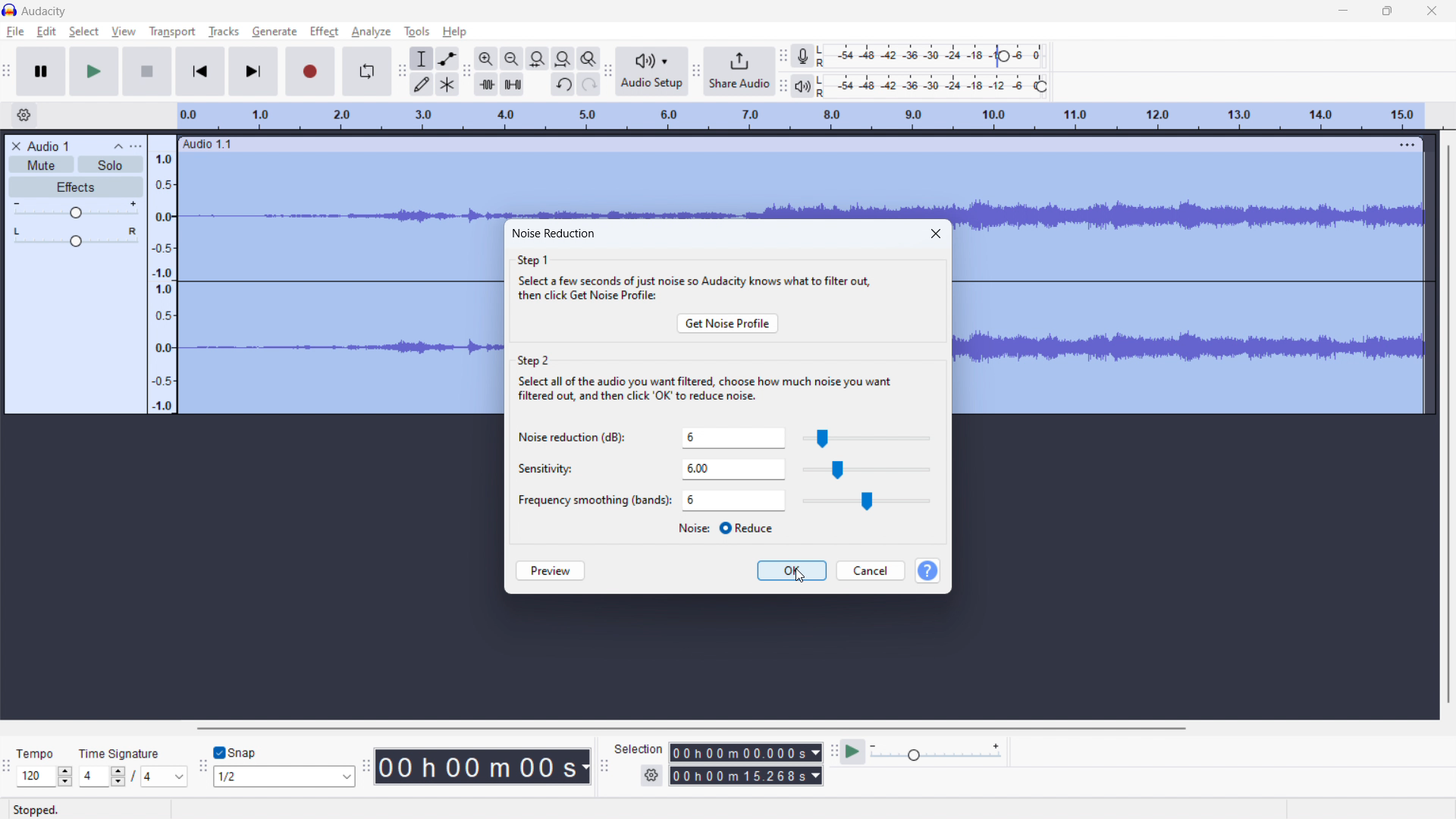 The image size is (1456, 819). I want to click on collapse, so click(117, 146).